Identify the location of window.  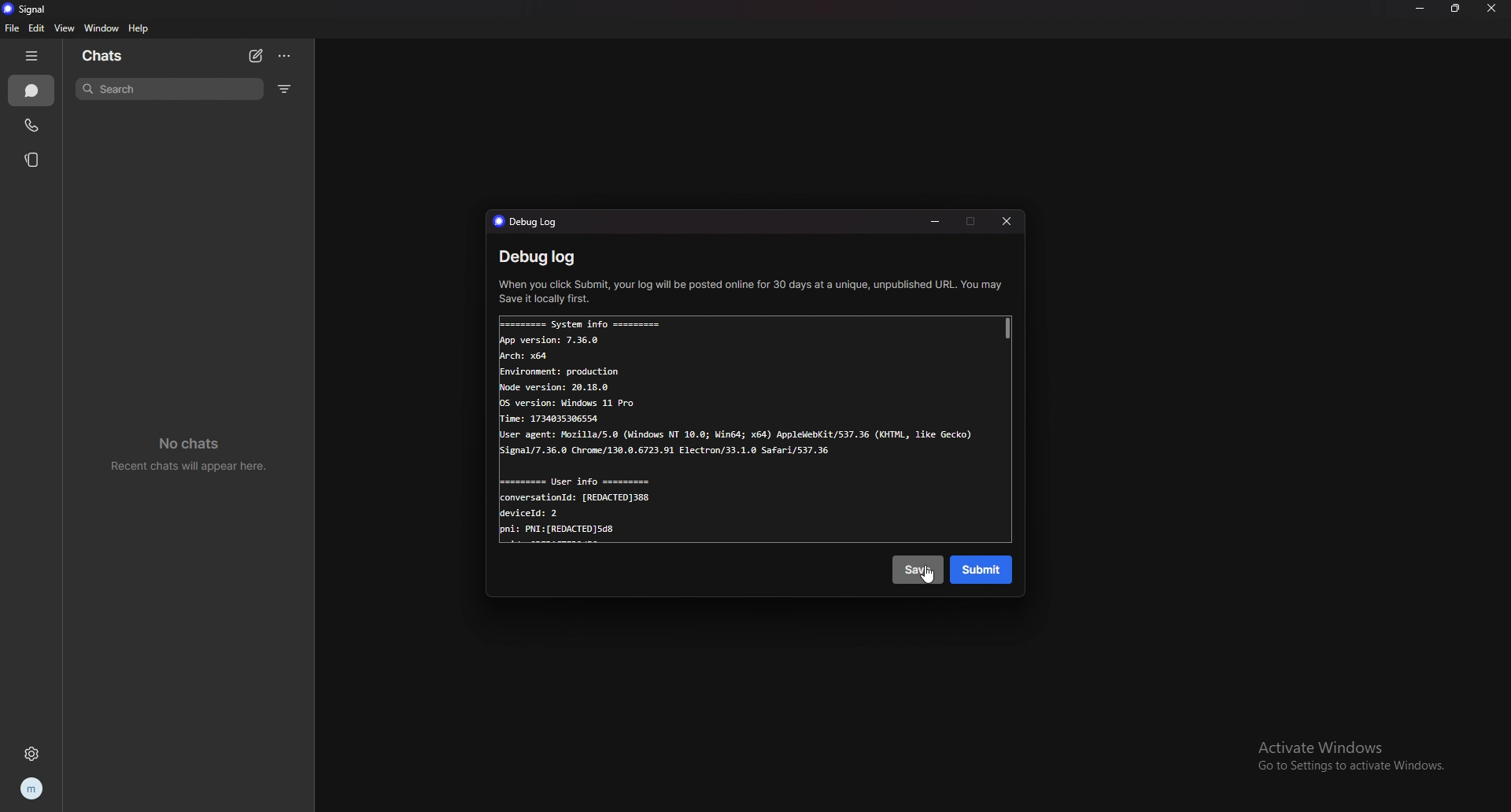
(102, 28).